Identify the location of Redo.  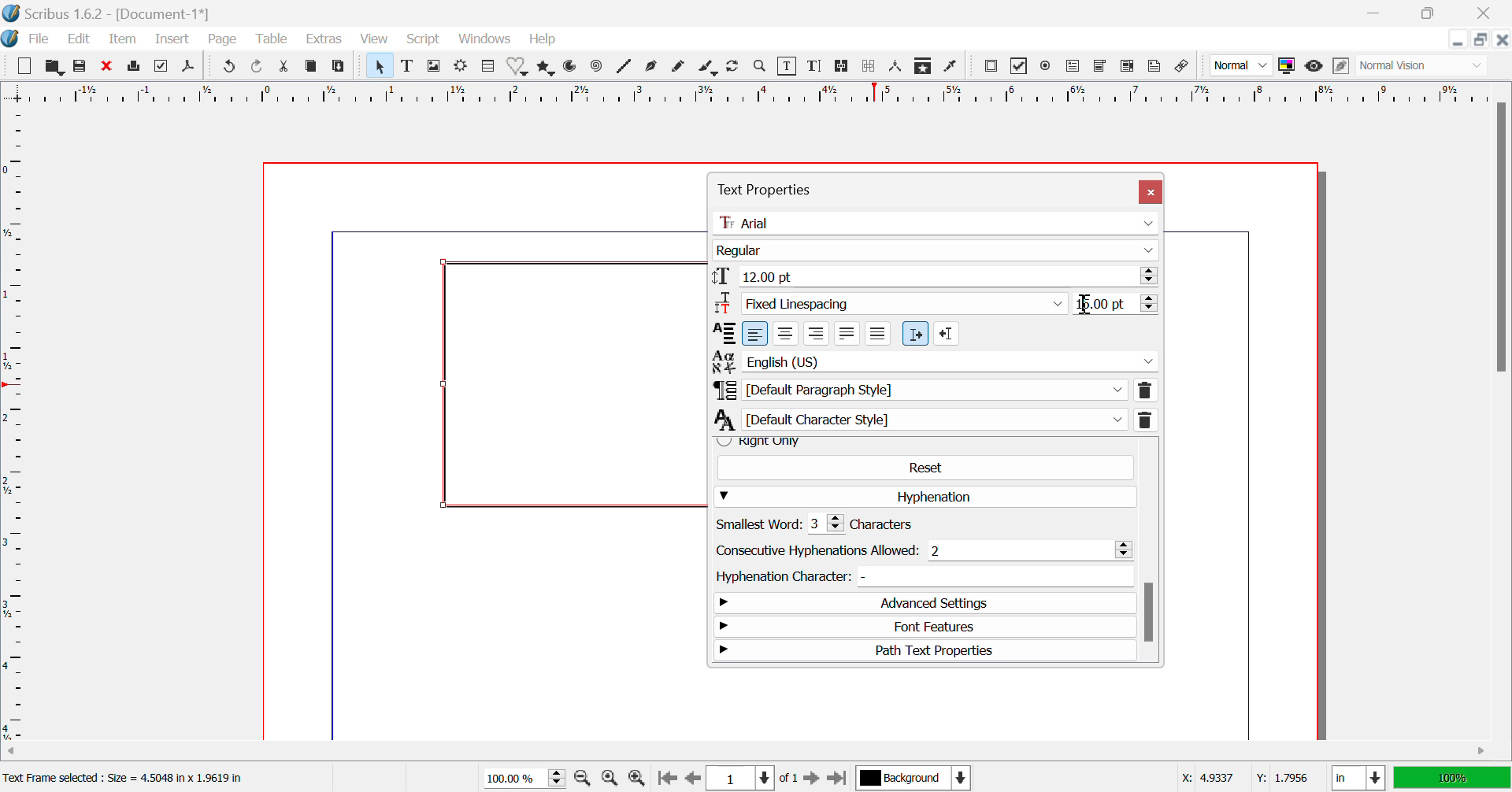
(257, 68).